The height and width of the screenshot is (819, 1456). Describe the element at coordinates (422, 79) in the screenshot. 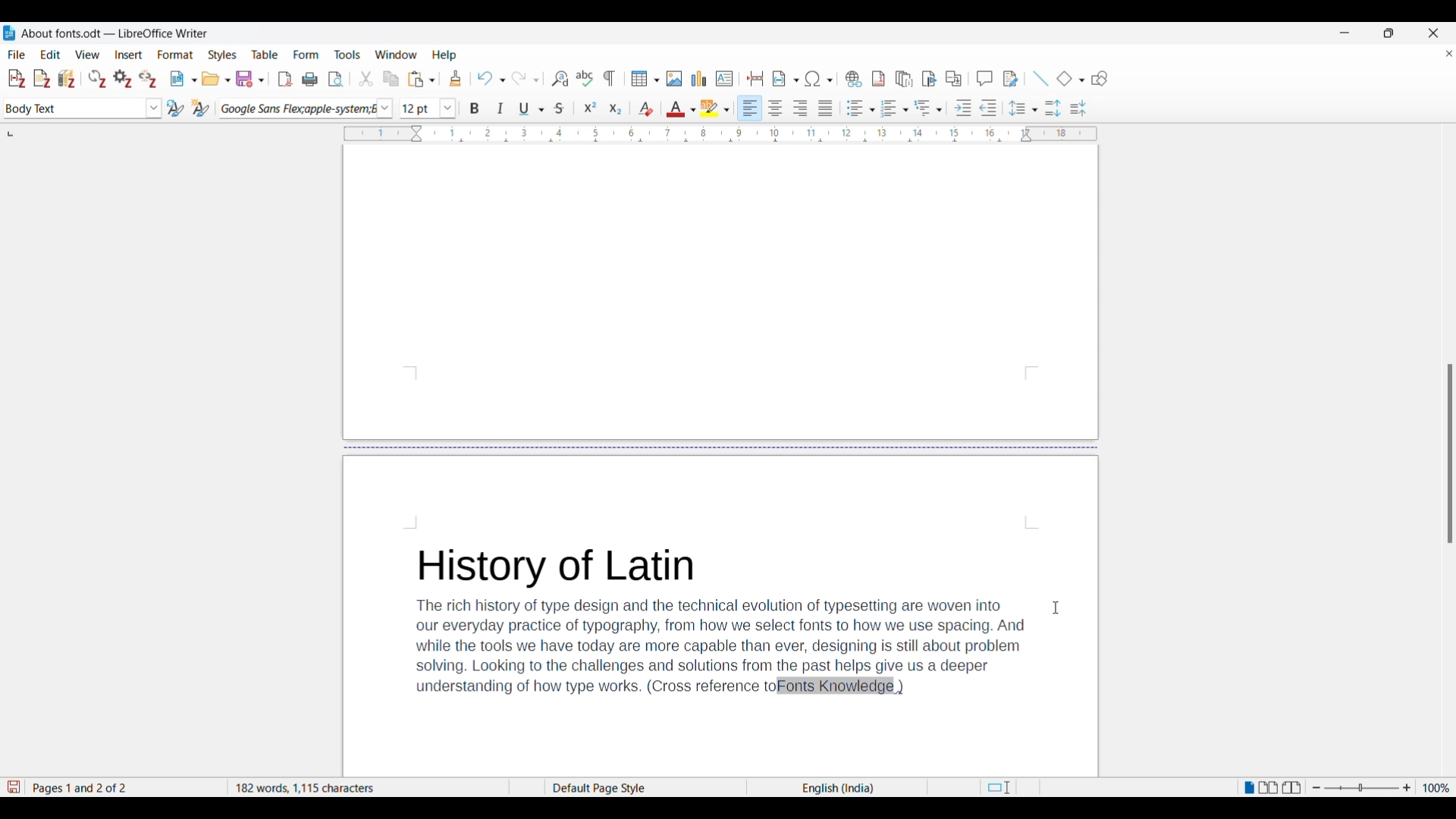

I see `Paste options` at that location.